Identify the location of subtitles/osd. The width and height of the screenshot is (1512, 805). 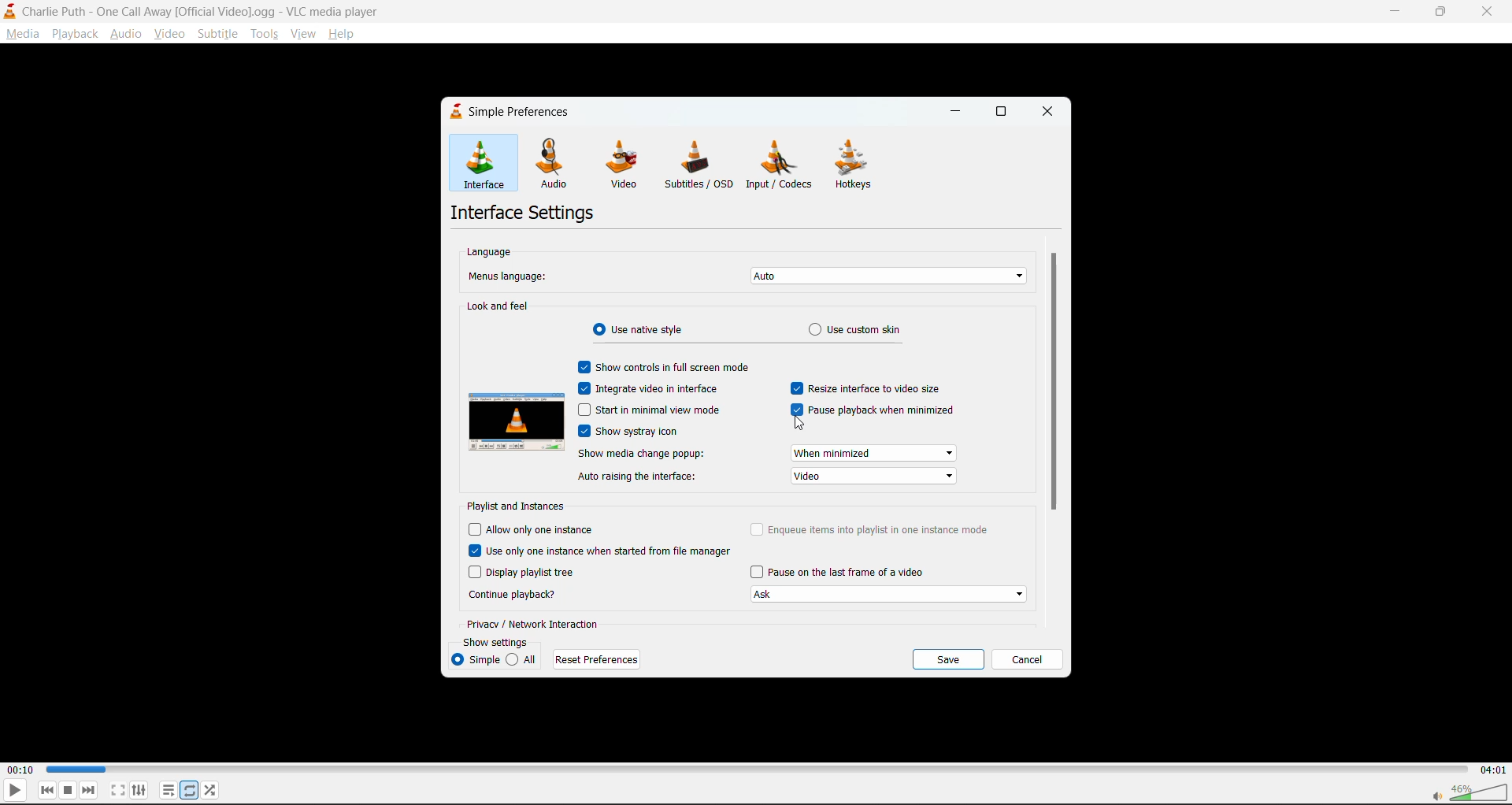
(701, 165).